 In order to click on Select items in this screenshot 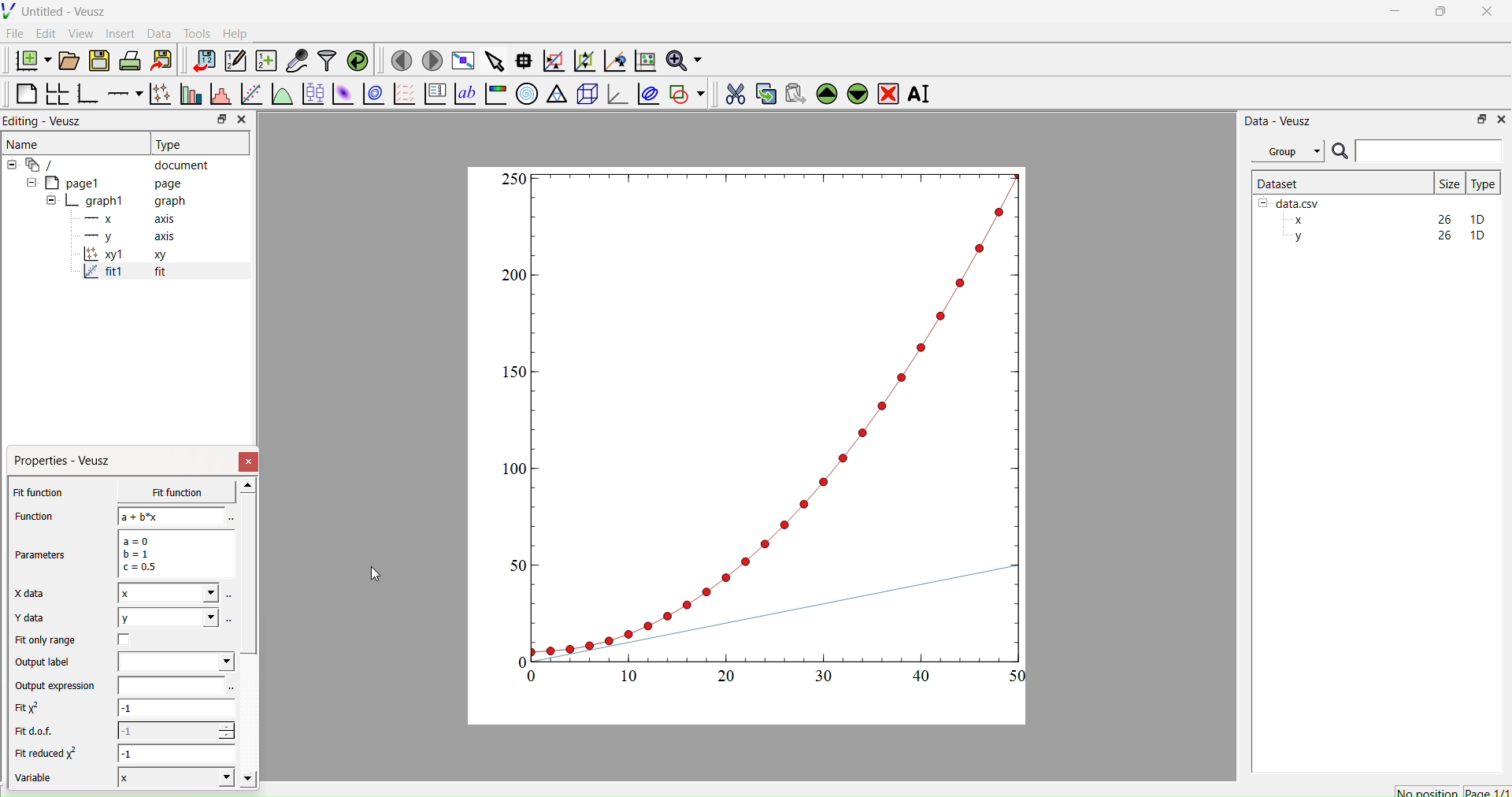, I will do `click(493, 61)`.